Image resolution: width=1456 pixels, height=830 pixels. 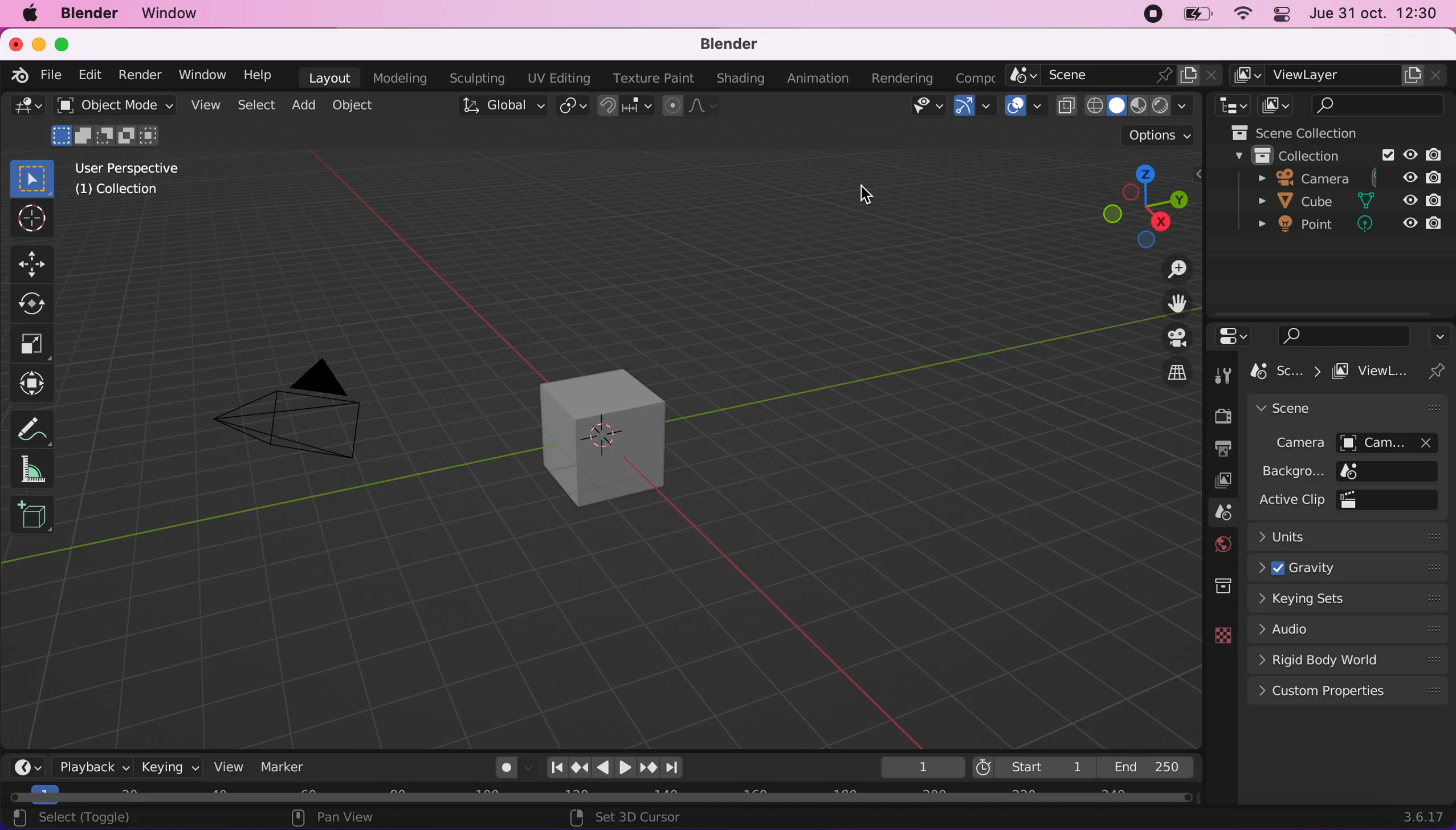 I want to click on shading, so click(x=744, y=78).